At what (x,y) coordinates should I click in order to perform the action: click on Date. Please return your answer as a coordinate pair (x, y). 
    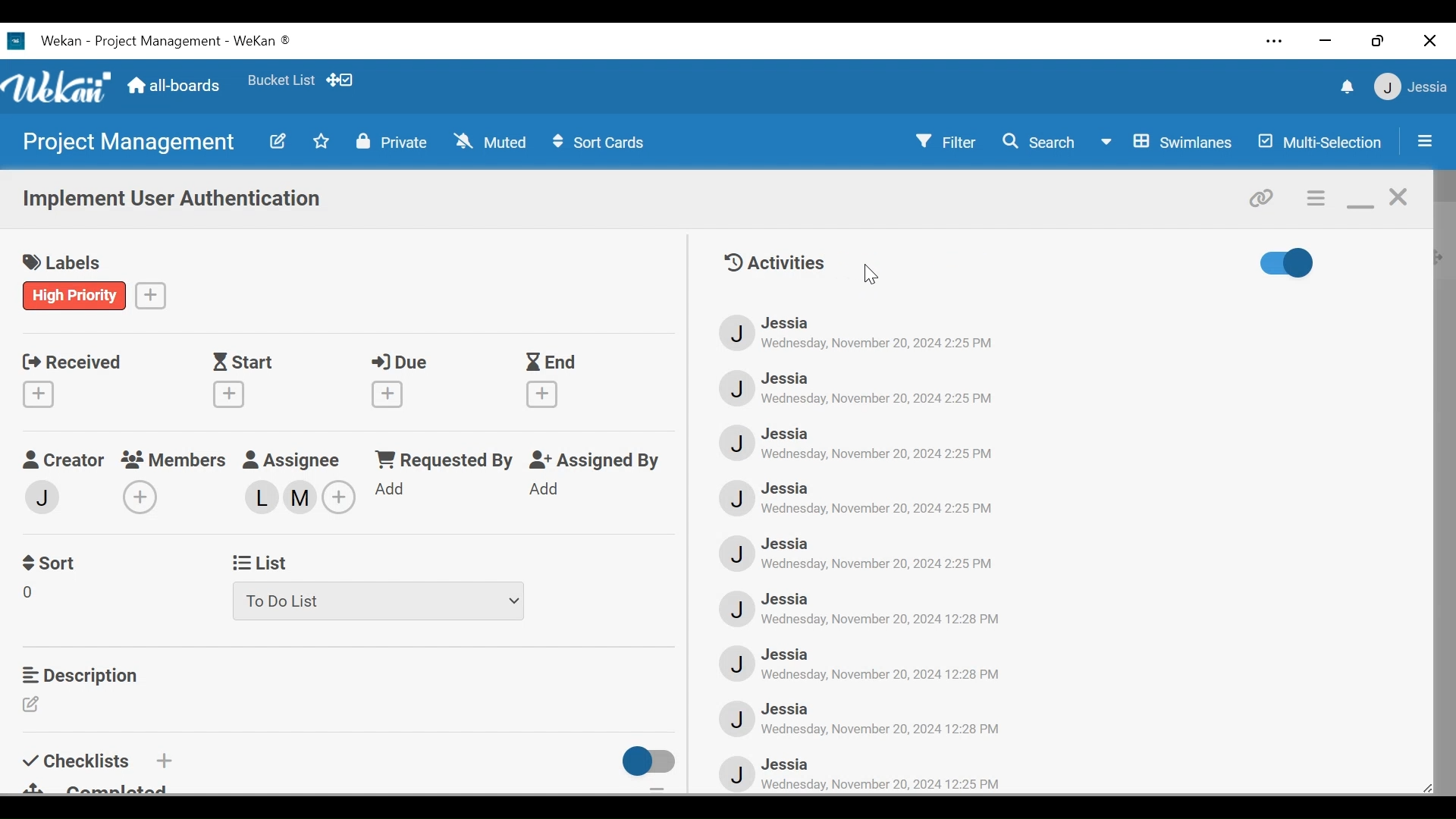
    Looking at the image, I should click on (882, 563).